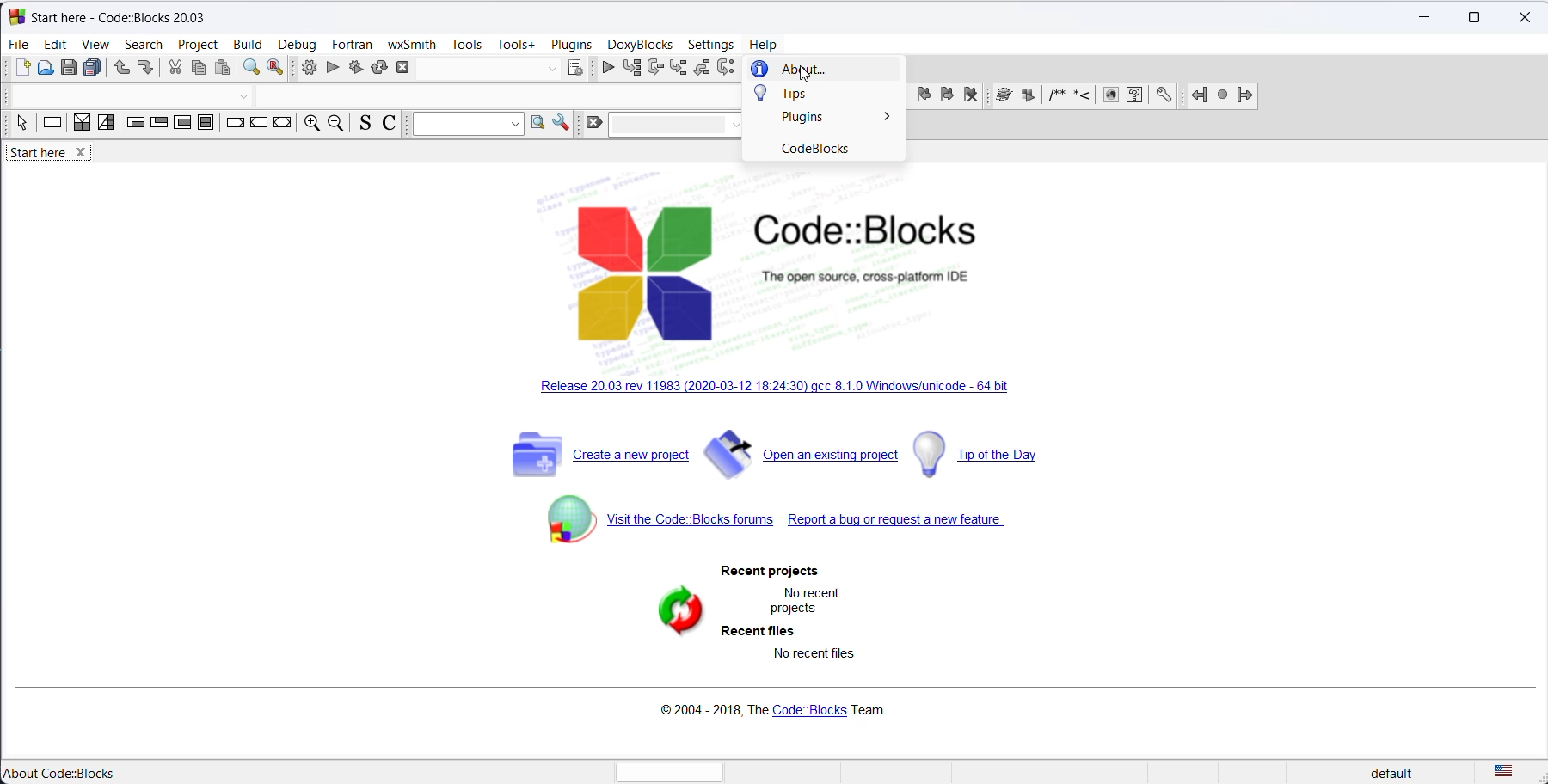 This screenshot has height=784, width=1548. Describe the element at coordinates (331, 68) in the screenshot. I see `run` at that location.